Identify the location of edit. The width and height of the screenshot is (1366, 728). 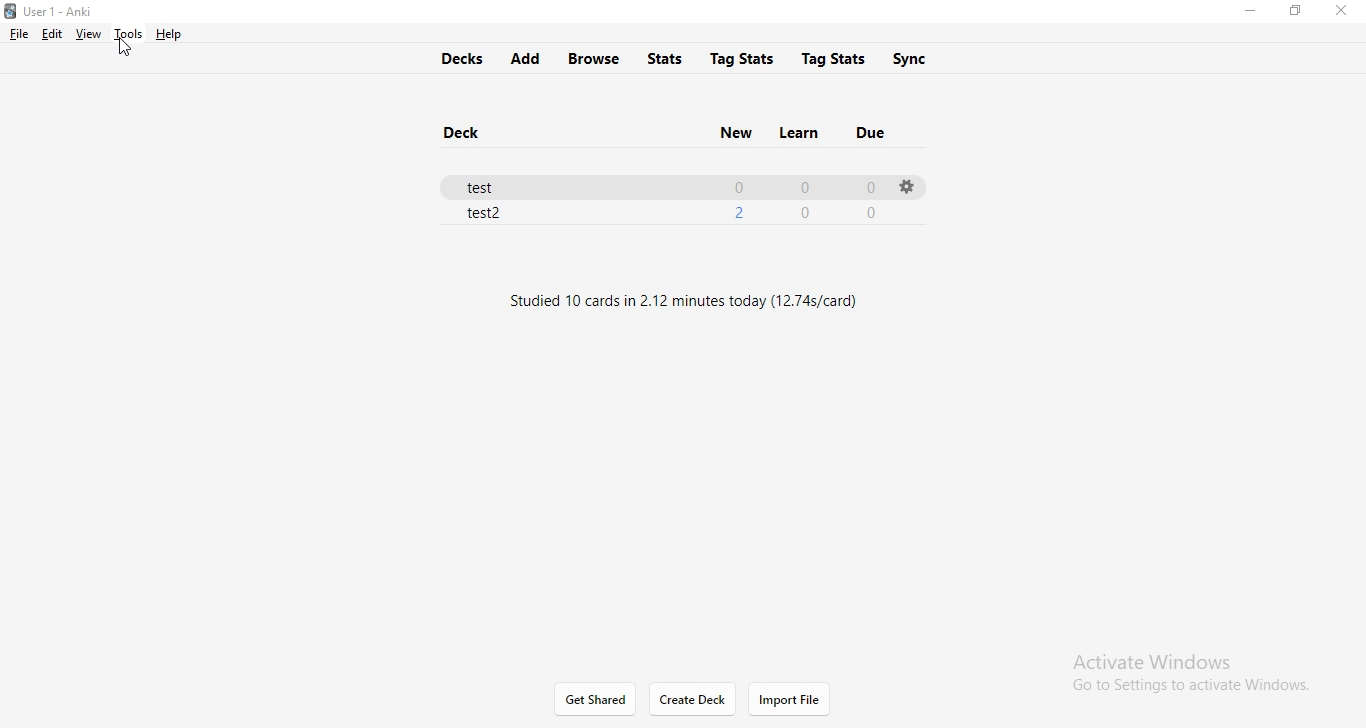
(53, 33).